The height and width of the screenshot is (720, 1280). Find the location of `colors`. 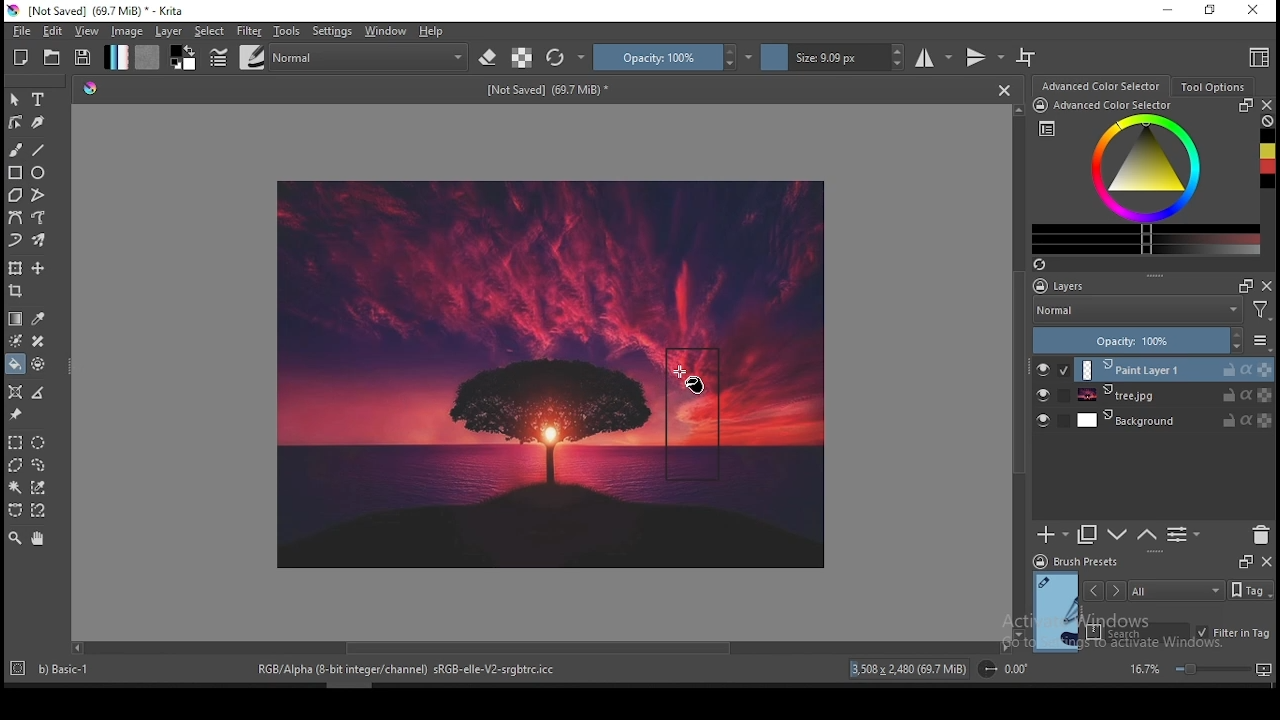

colors is located at coordinates (184, 58).